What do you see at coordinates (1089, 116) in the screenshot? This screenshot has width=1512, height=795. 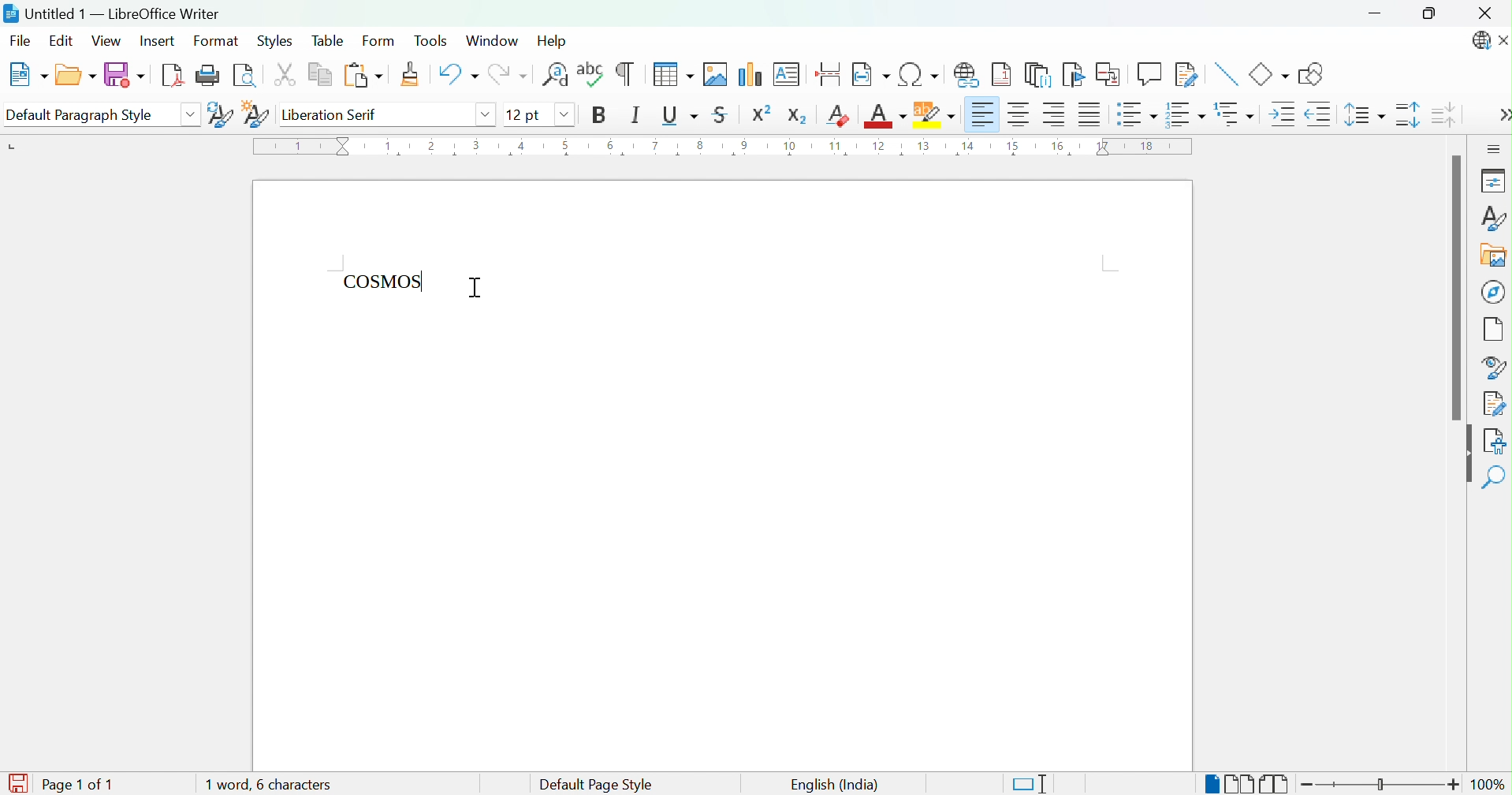 I see `Justified` at bounding box center [1089, 116].